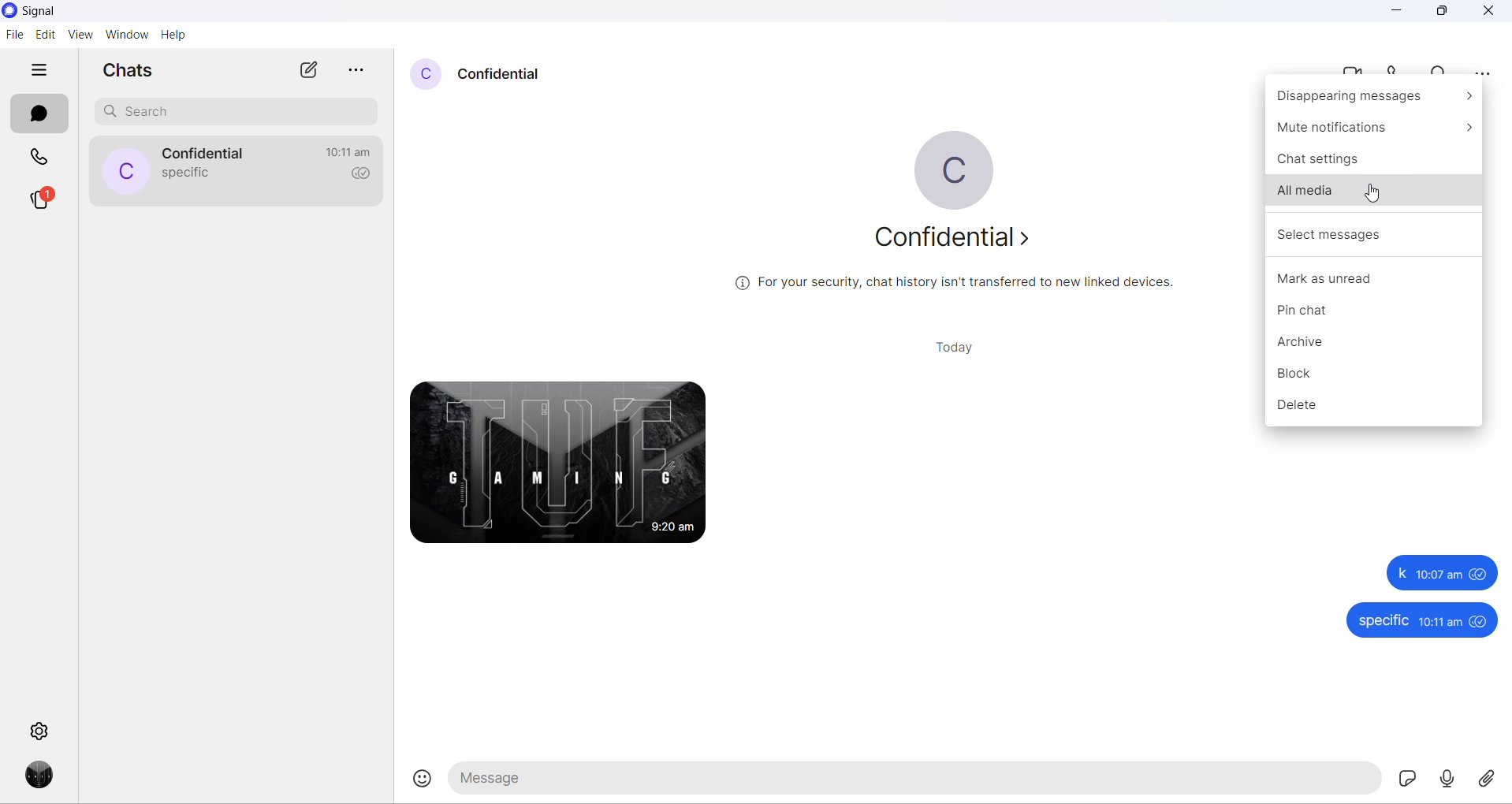 The height and width of the screenshot is (804, 1512). Describe the element at coordinates (1406, 780) in the screenshot. I see `sticker` at that location.